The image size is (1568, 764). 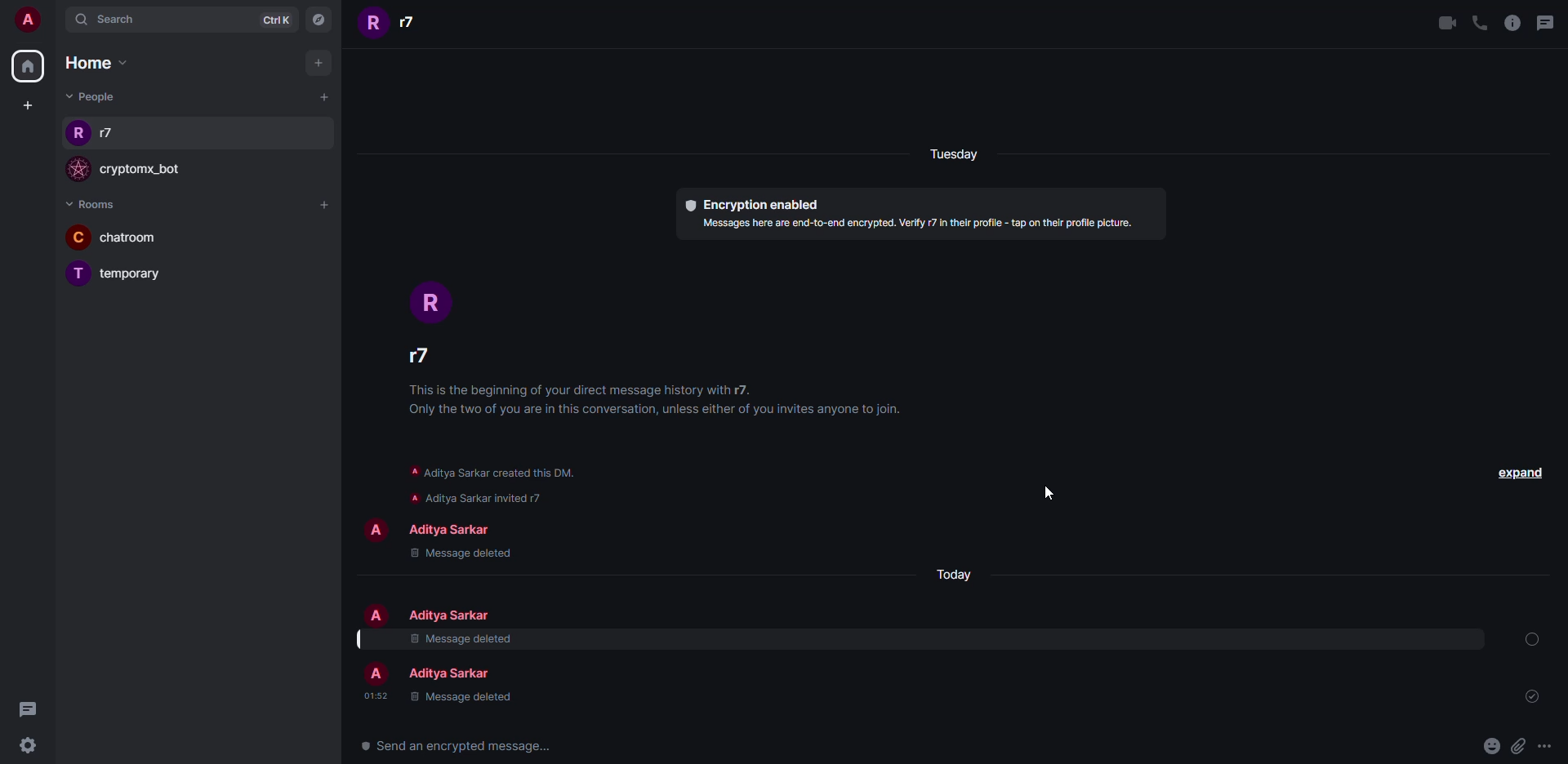 What do you see at coordinates (1548, 22) in the screenshot?
I see `threads` at bounding box center [1548, 22].